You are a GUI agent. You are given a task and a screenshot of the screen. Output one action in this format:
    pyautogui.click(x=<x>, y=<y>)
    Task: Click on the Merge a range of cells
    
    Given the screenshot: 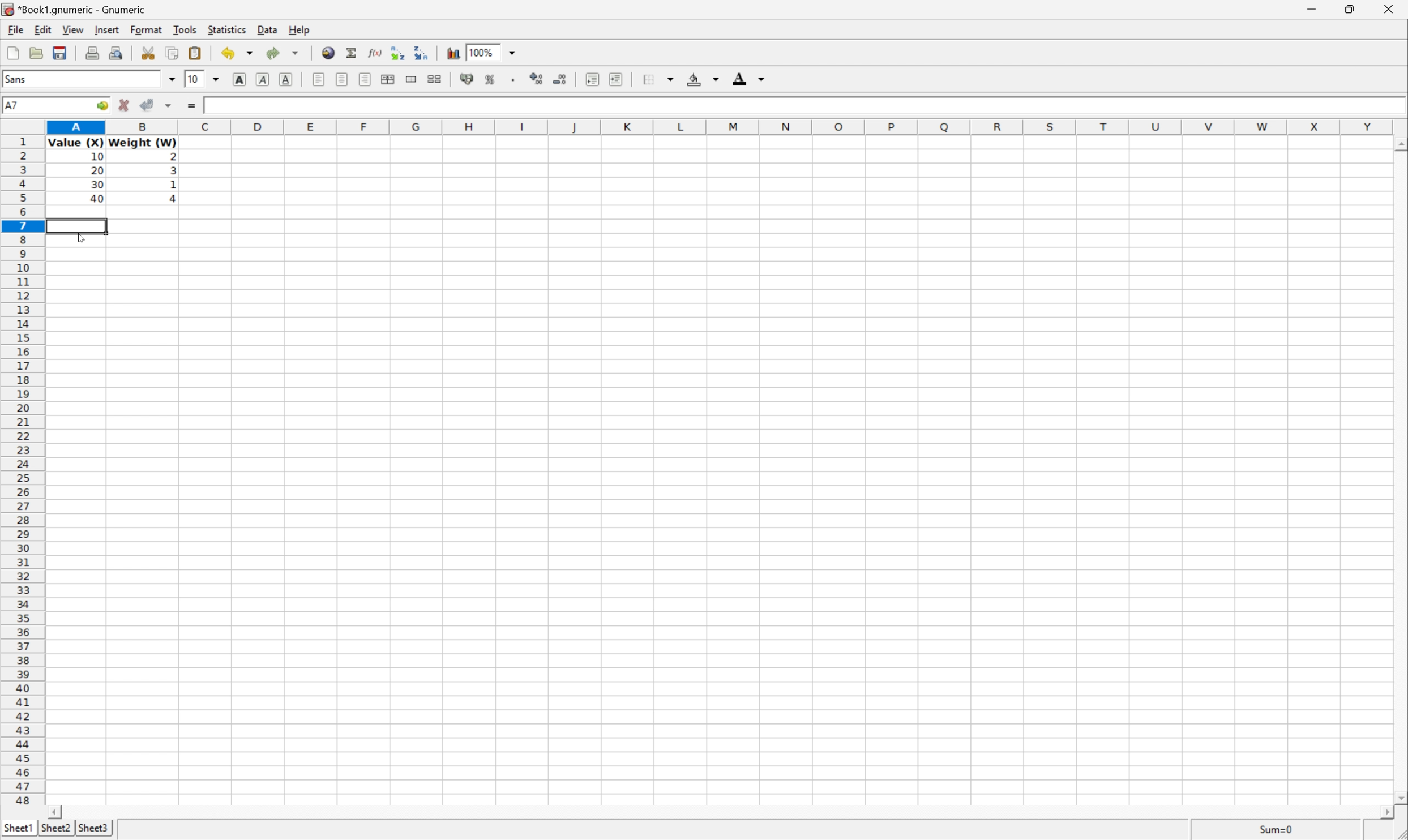 What is the action you would take?
    pyautogui.click(x=412, y=80)
    